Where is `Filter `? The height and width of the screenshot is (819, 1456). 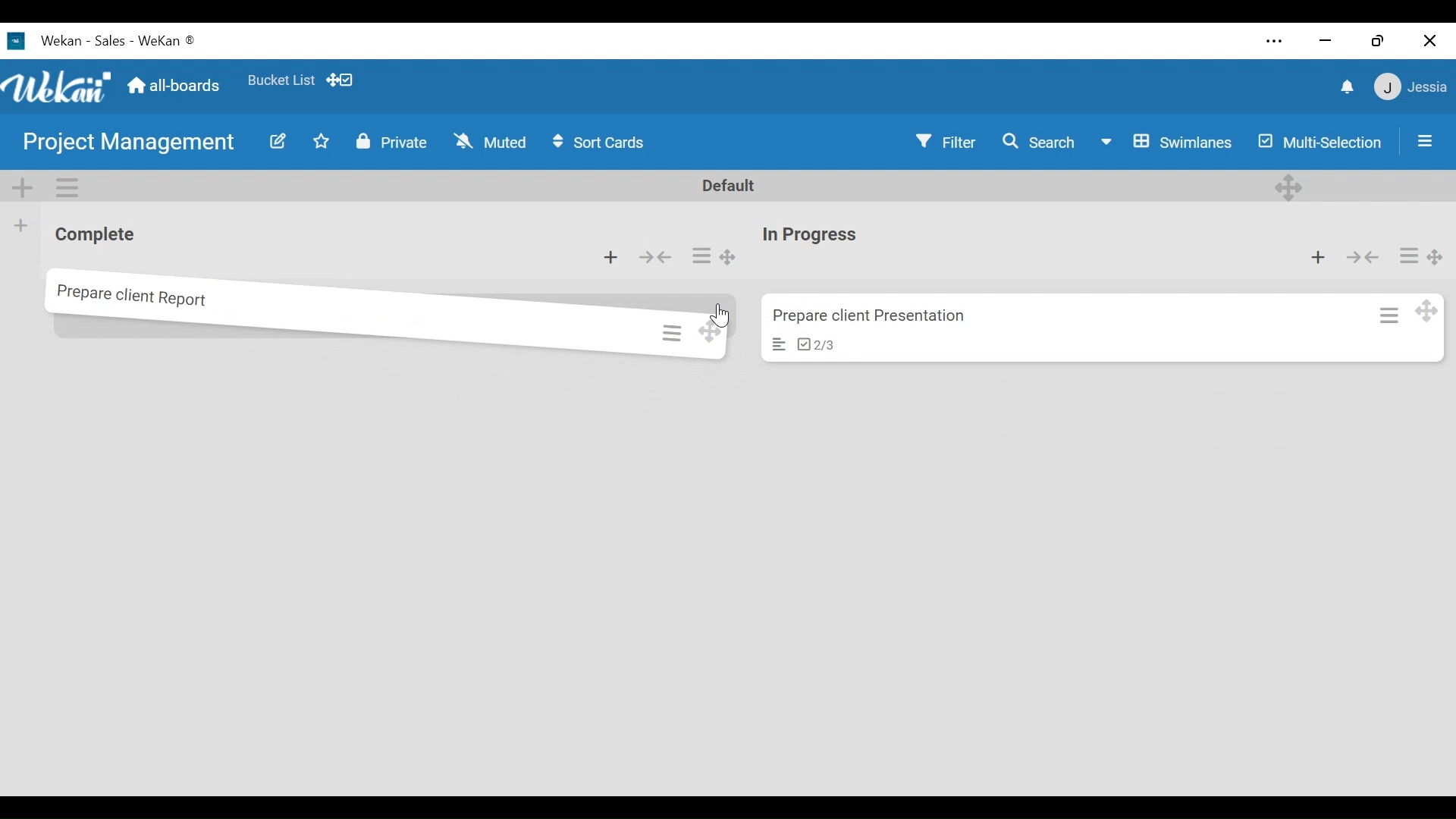 Filter  is located at coordinates (947, 143).